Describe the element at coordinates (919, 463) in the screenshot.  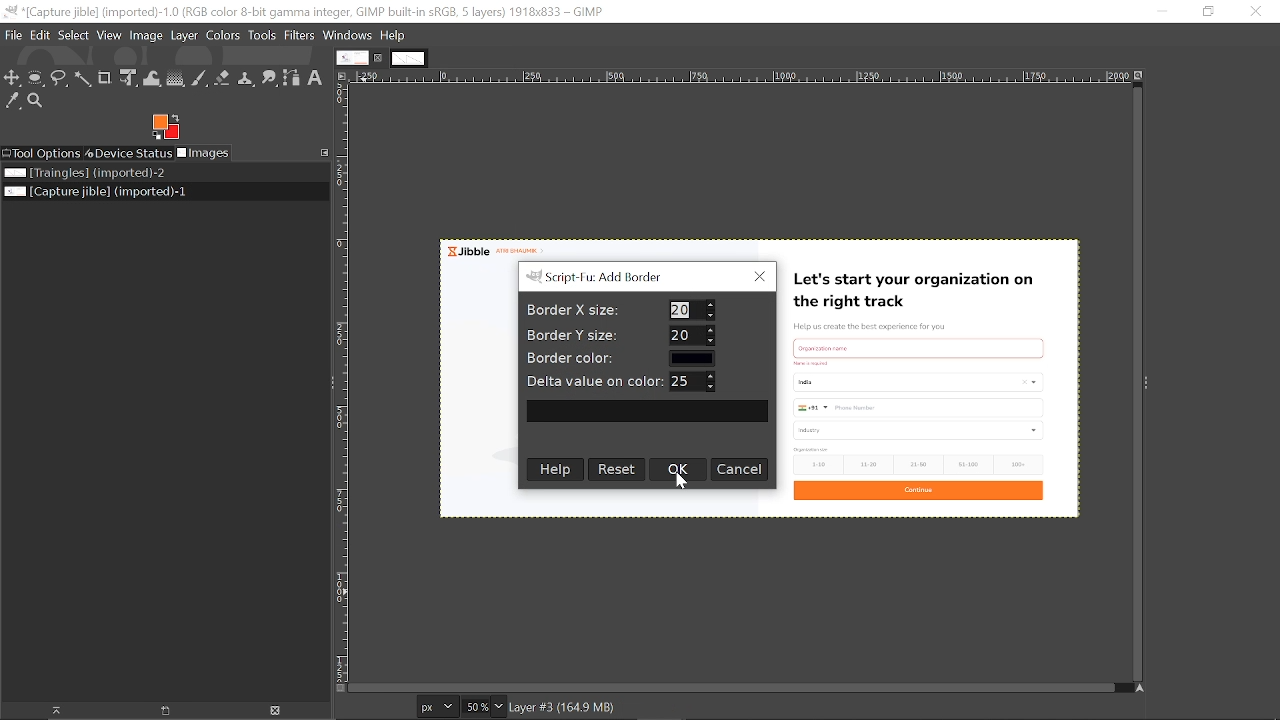
I see `21-50` at that location.